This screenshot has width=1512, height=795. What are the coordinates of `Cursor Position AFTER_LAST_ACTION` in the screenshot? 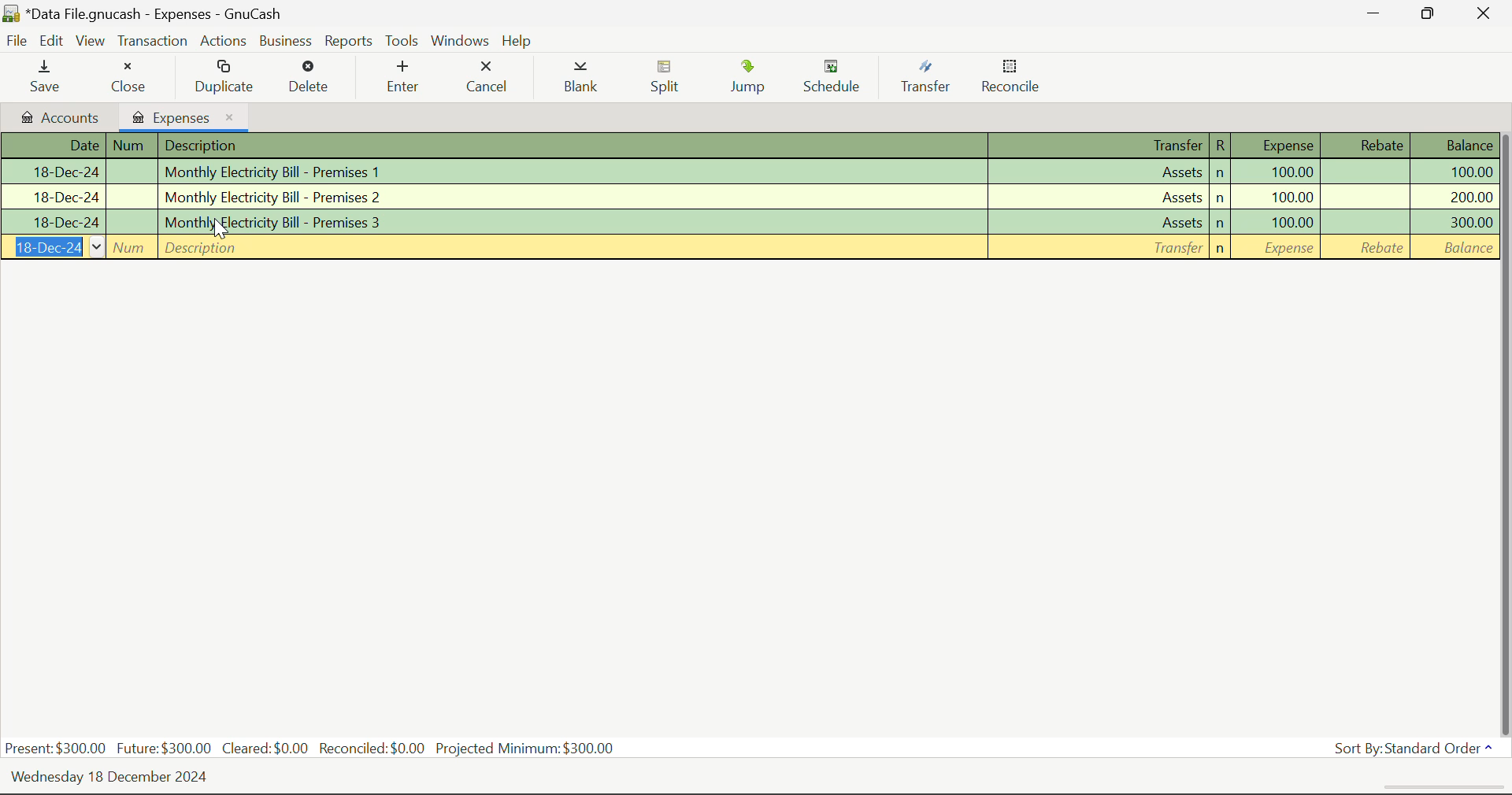 It's located at (219, 228).